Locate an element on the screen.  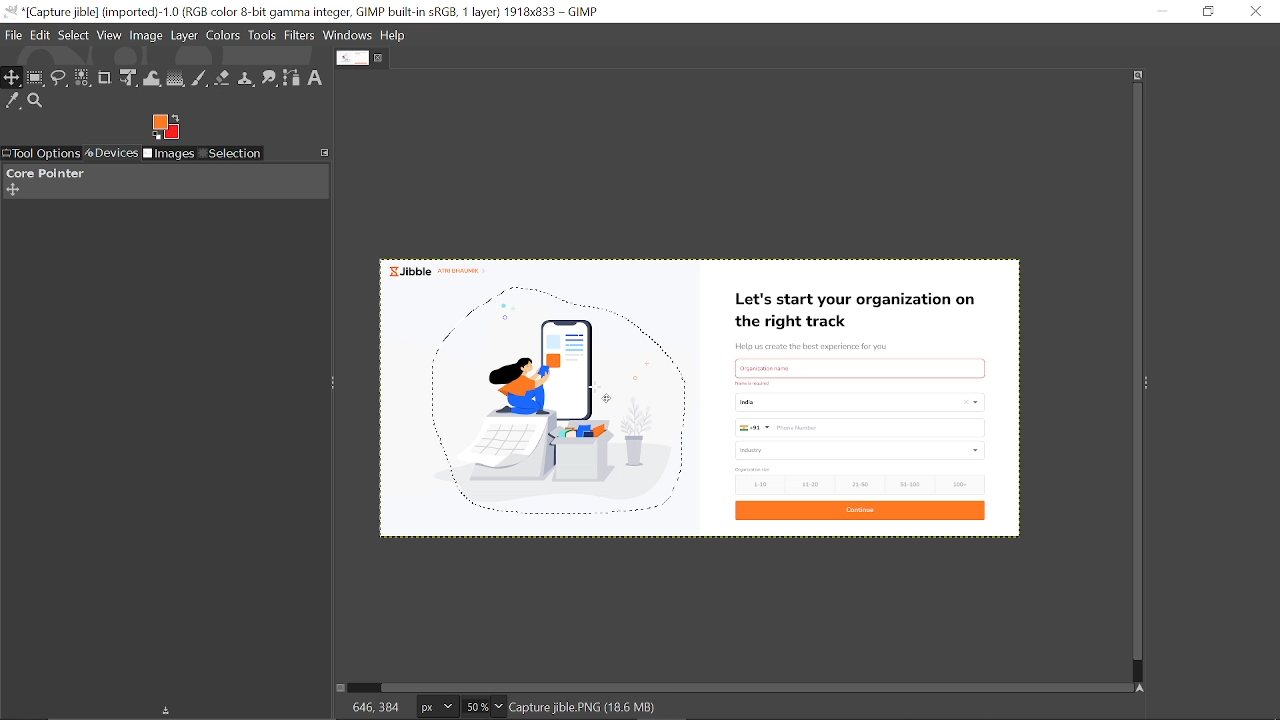
Unified transform tool is located at coordinates (127, 78).